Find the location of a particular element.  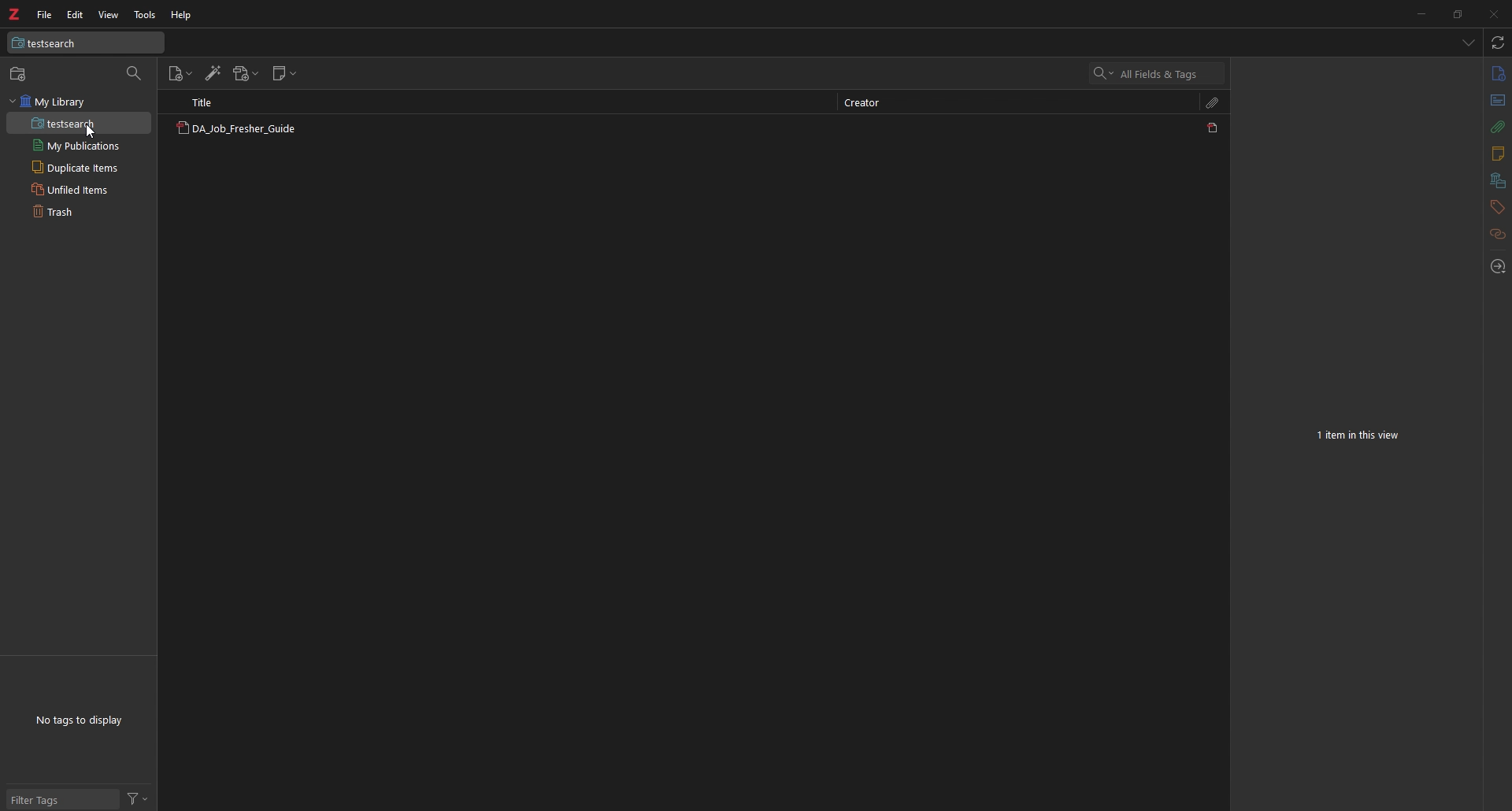

new item is located at coordinates (181, 74).